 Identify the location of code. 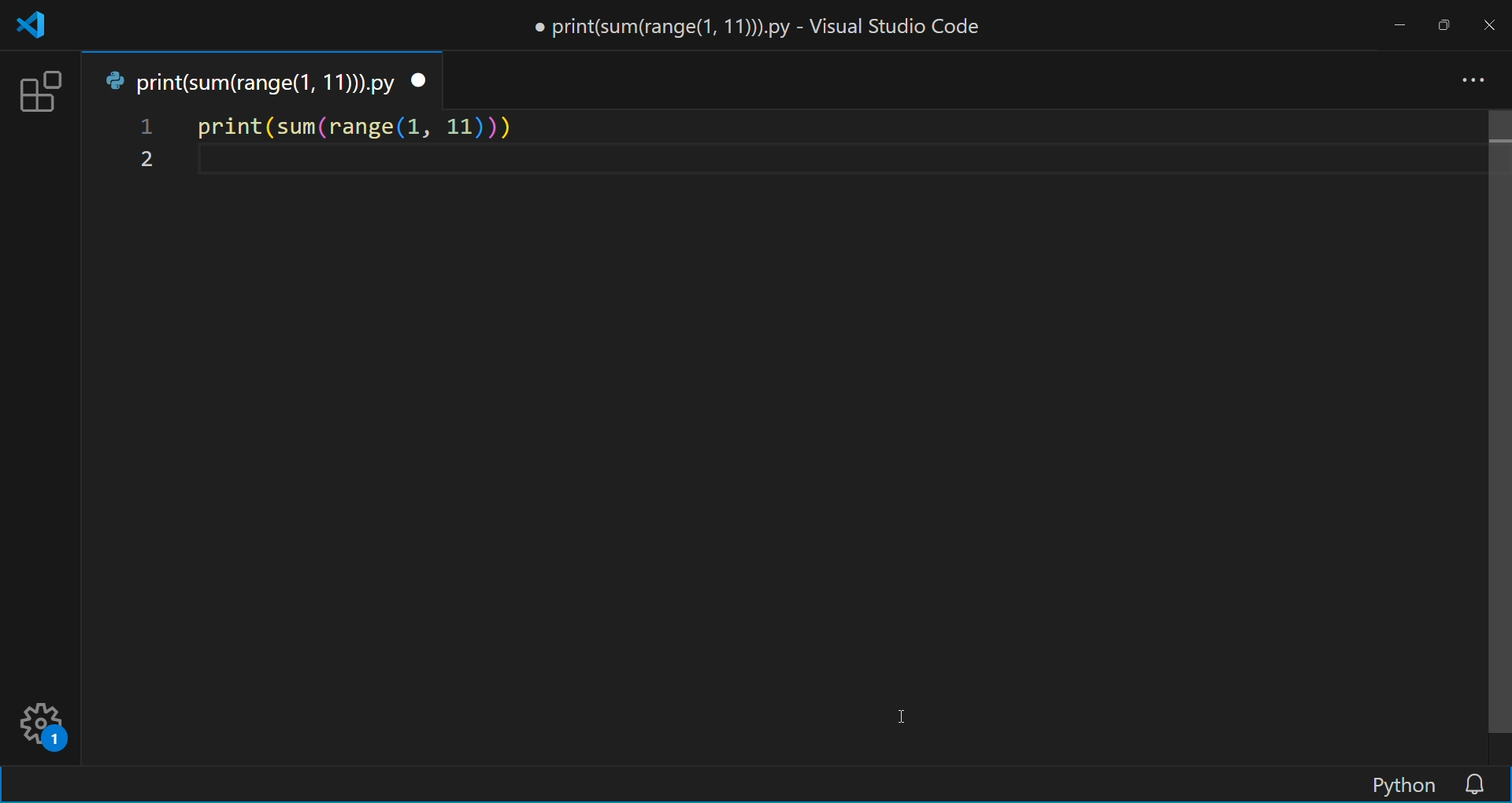
(363, 123).